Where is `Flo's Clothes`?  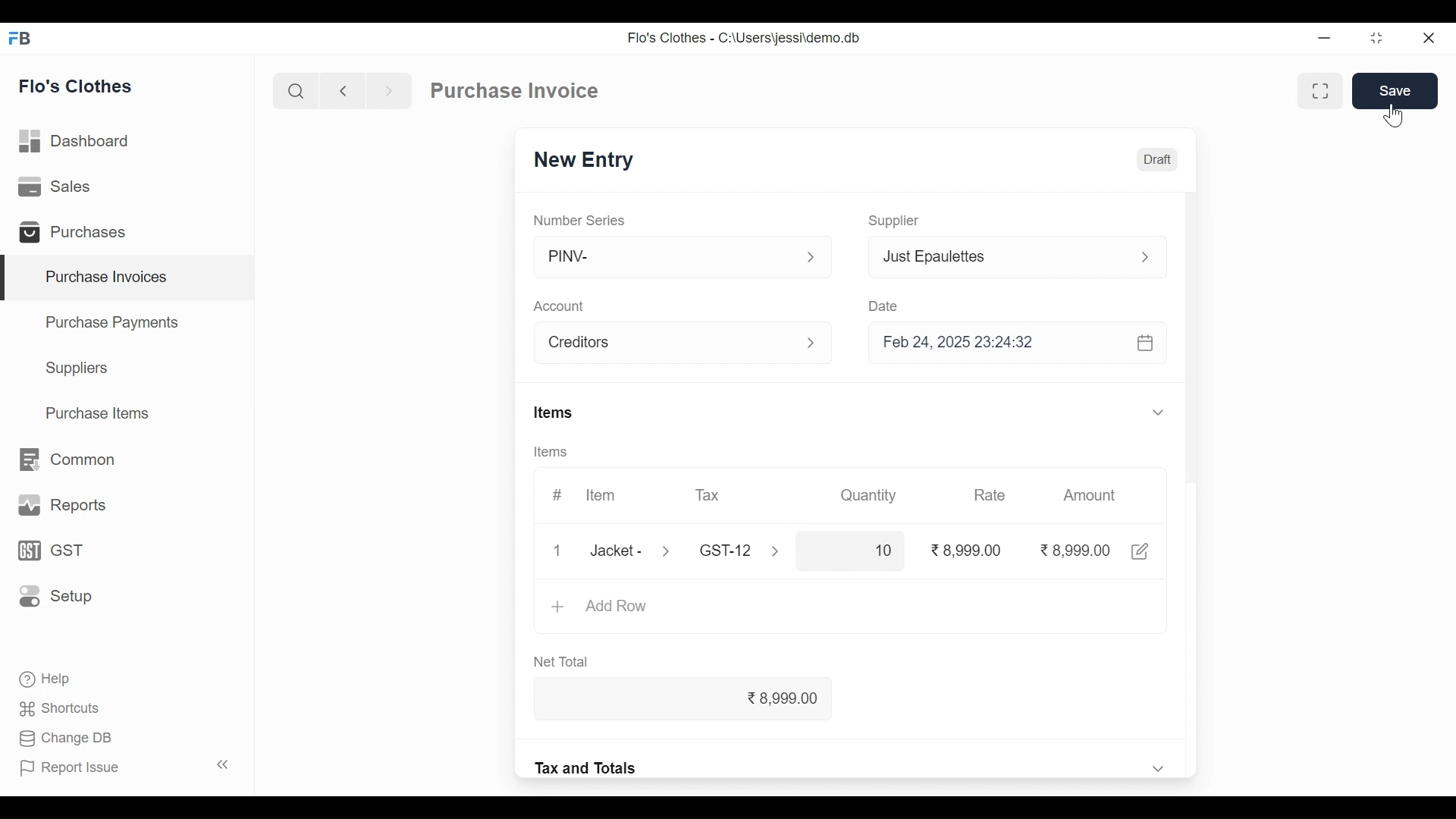 Flo's Clothes is located at coordinates (78, 86).